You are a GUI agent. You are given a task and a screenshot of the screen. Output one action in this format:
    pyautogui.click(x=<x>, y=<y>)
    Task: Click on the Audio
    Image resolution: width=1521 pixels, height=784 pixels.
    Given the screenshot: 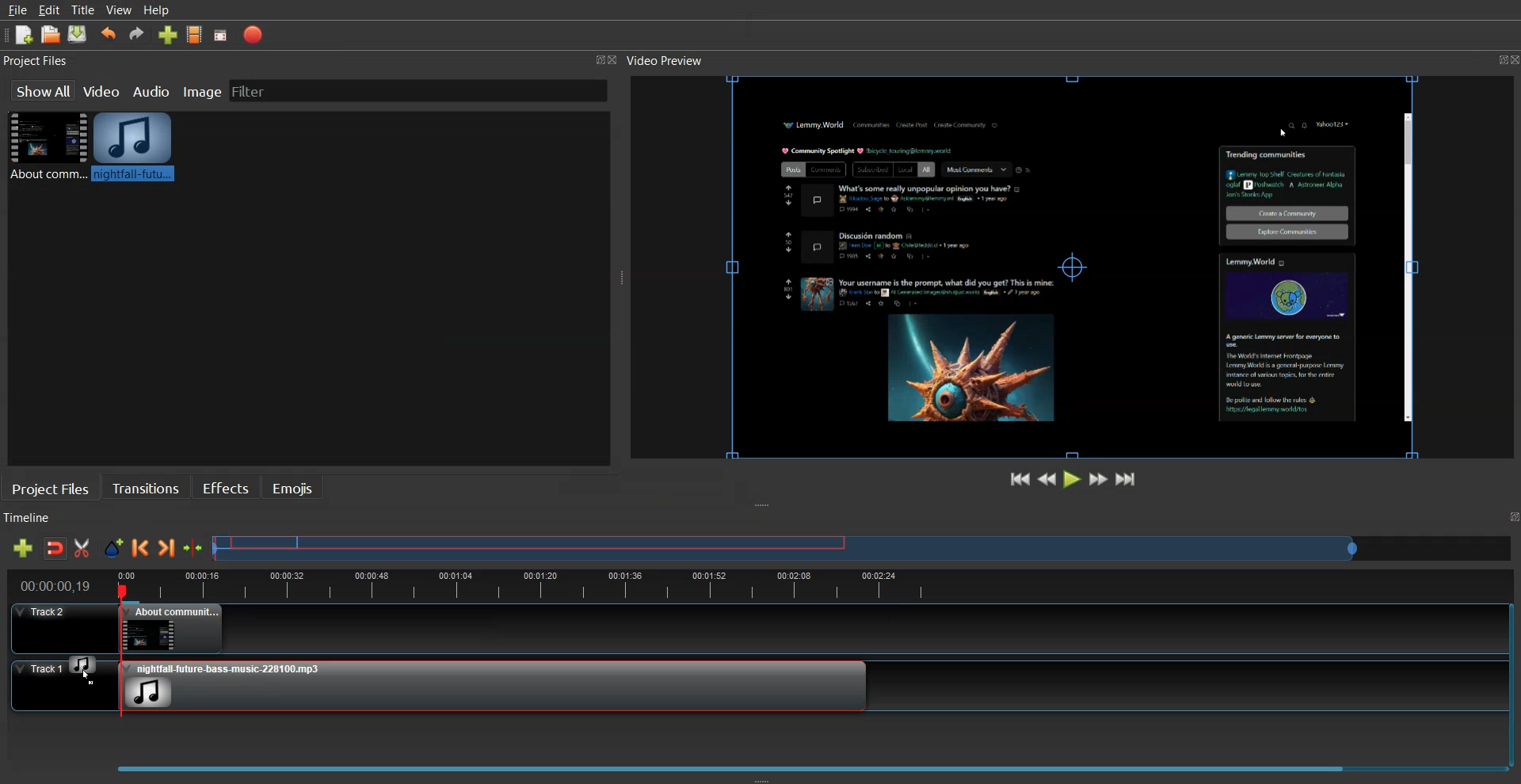 What is the action you would take?
    pyautogui.click(x=153, y=90)
    